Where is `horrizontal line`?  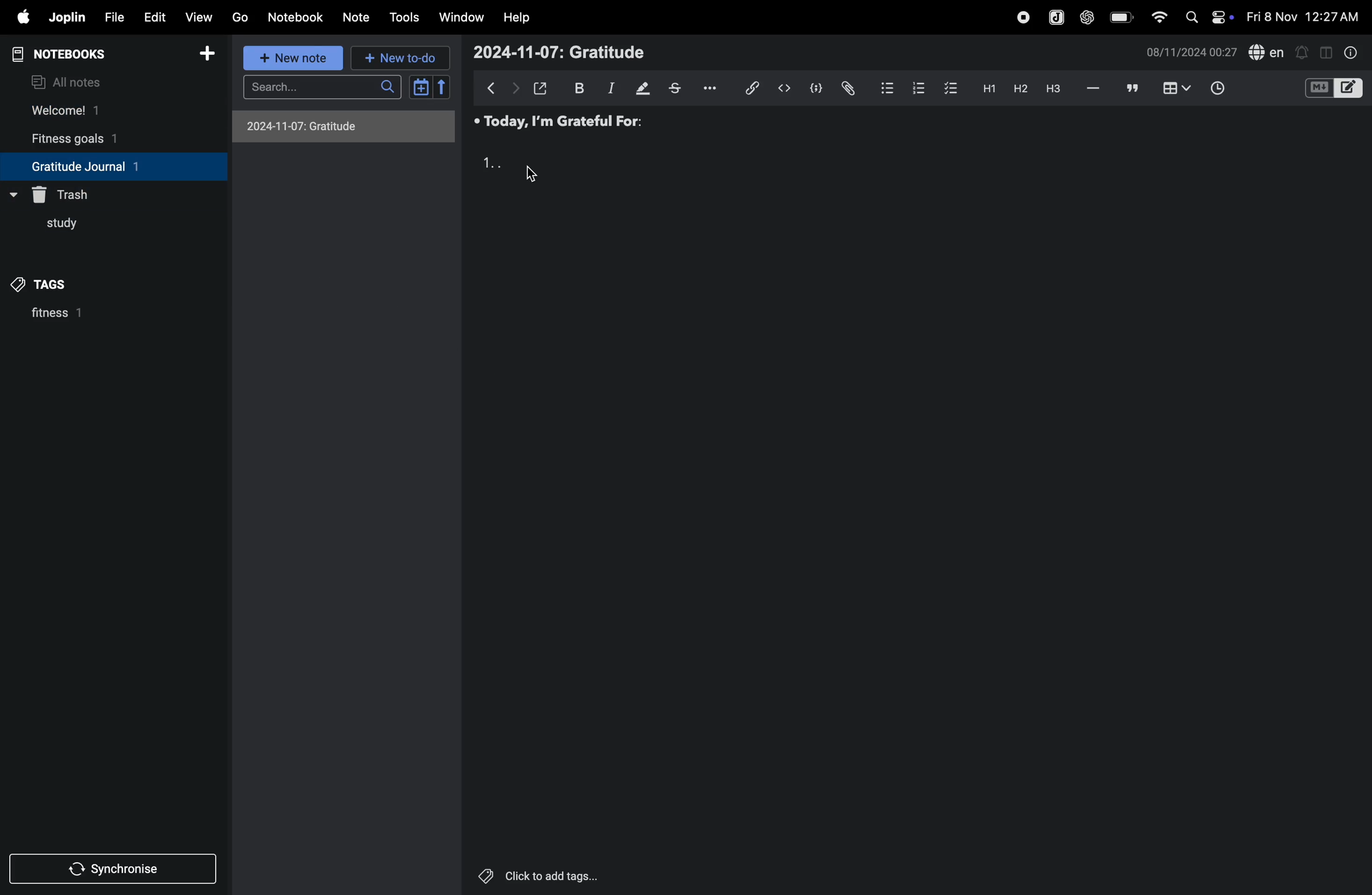 horrizontal line is located at coordinates (1094, 89).